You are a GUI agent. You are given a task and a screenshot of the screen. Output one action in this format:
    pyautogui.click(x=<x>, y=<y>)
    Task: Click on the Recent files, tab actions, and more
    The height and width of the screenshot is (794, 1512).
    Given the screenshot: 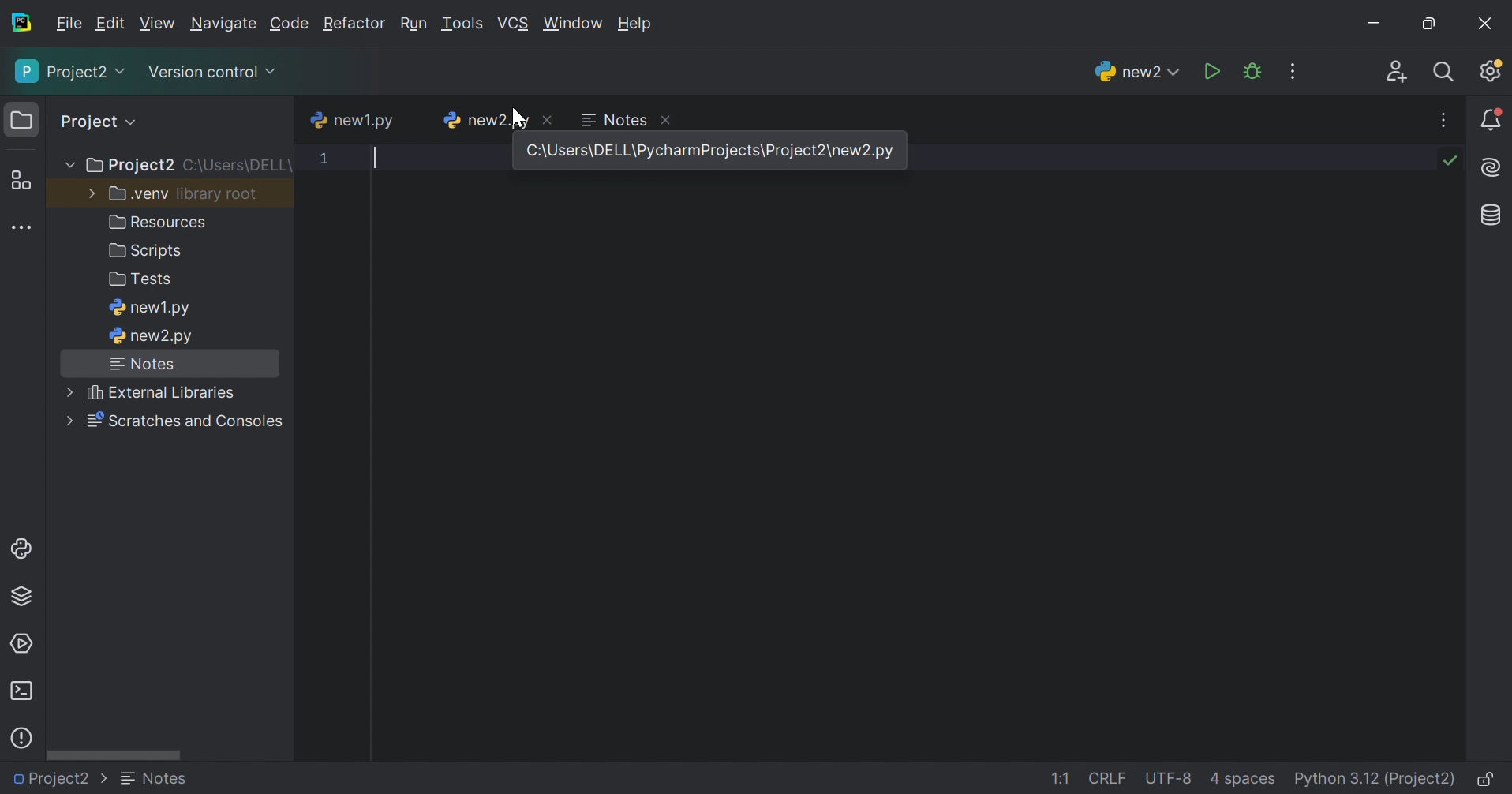 What is the action you would take?
    pyautogui.click(x=1445, y=120)
    